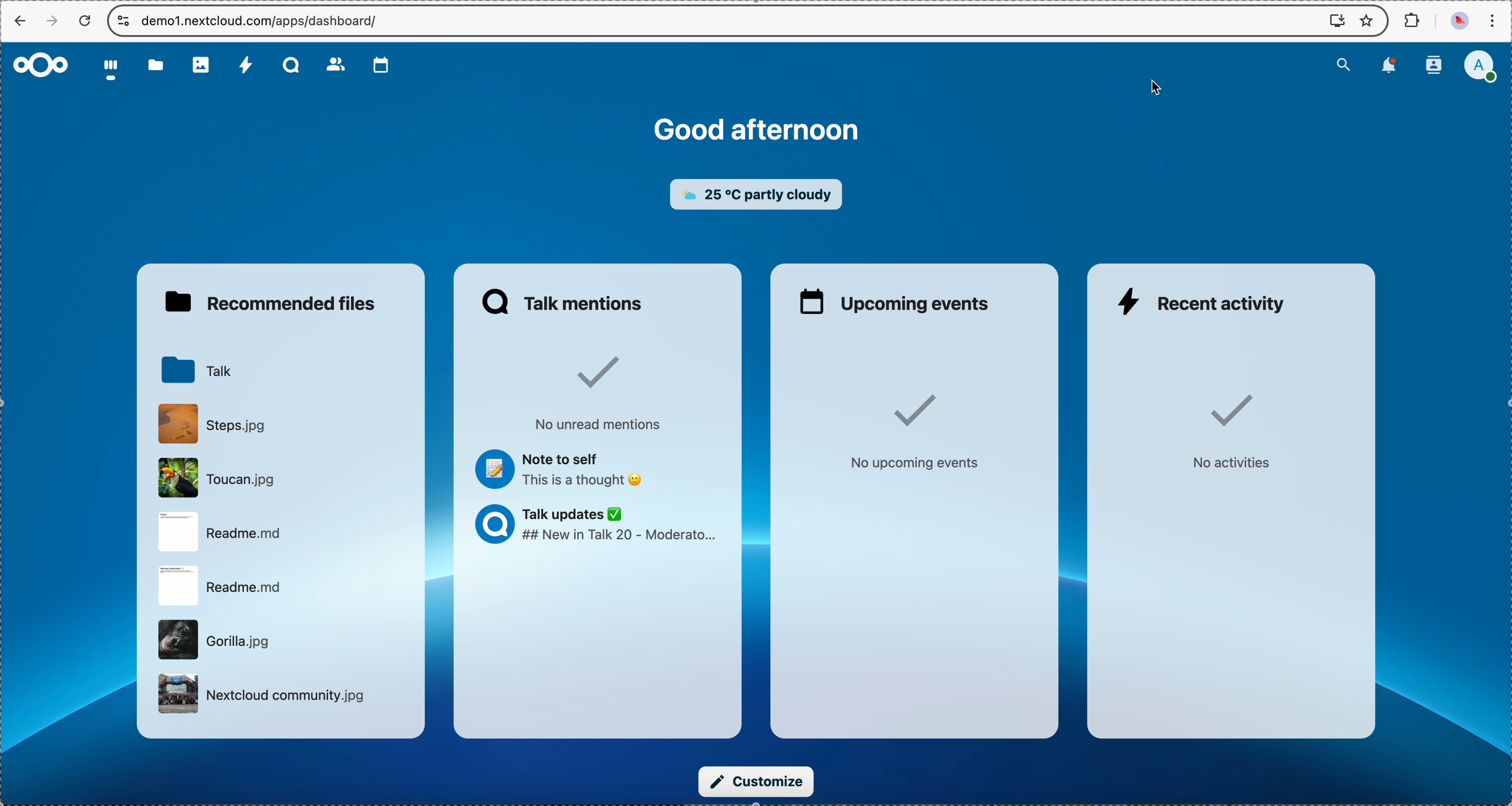 The image size is (1512, 806). I want to click on favorites, so click(1369, 22).